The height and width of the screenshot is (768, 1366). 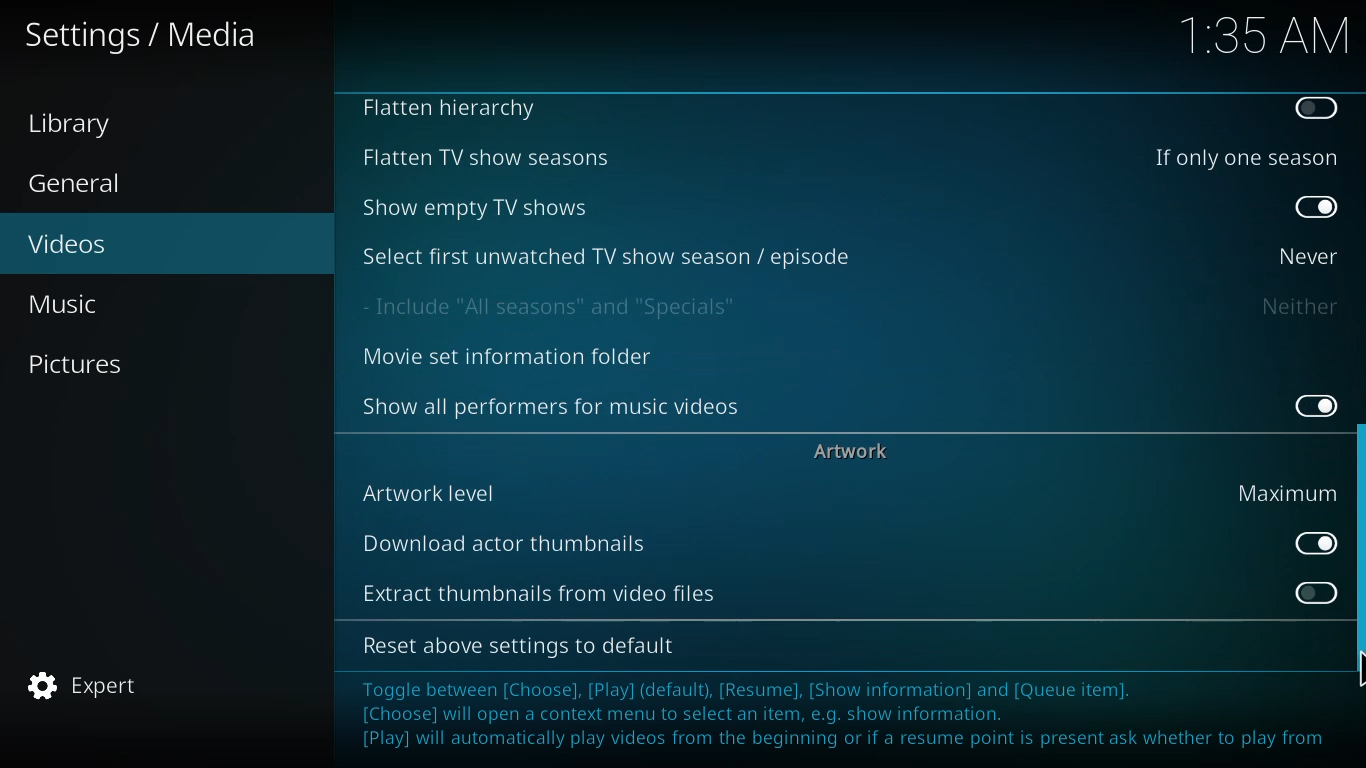 What do you see at coordinates (479, 207) in the screenshot?
I see `show empty tv shows` at bounding box center [479, 207].